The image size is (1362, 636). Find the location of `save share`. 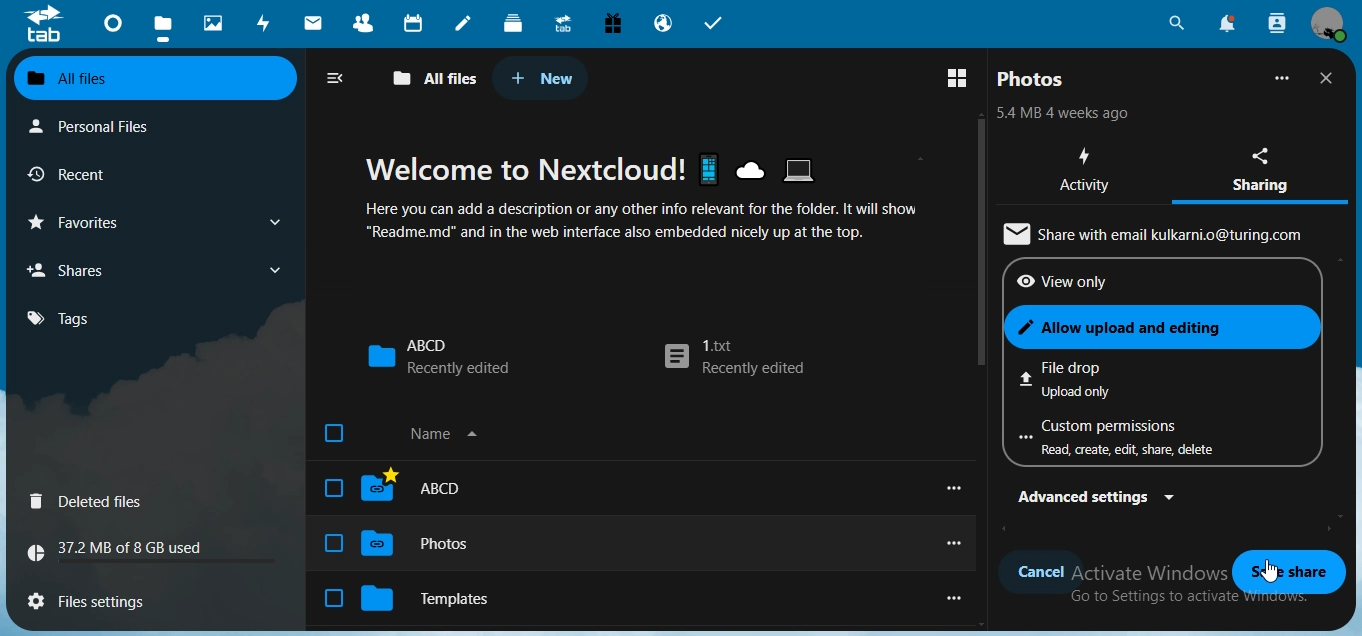

save share is located at coordinates (1285, 571).